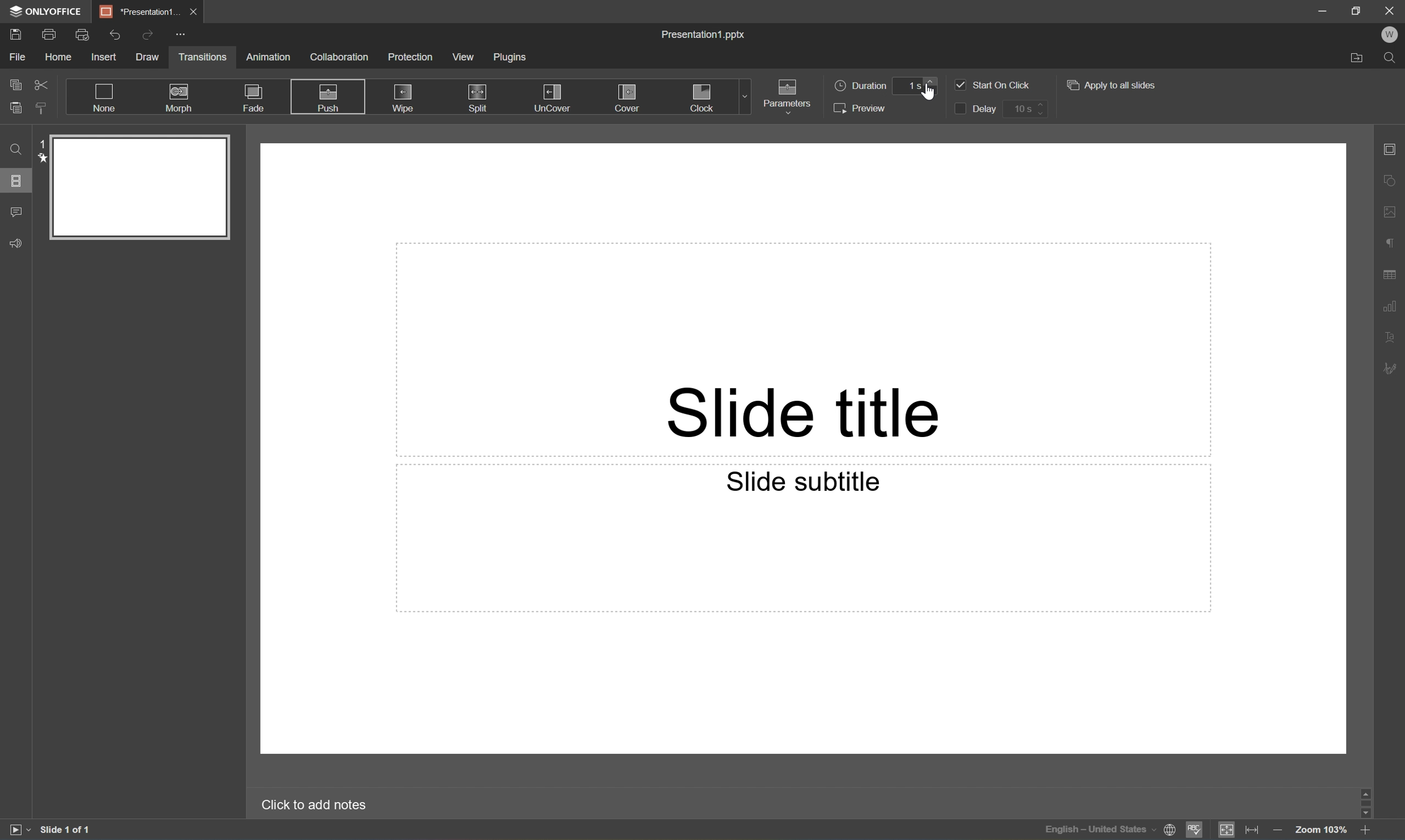  Describe the element at coordinates (1391, 214) in the screenshot. I see `Image settings` at that location.